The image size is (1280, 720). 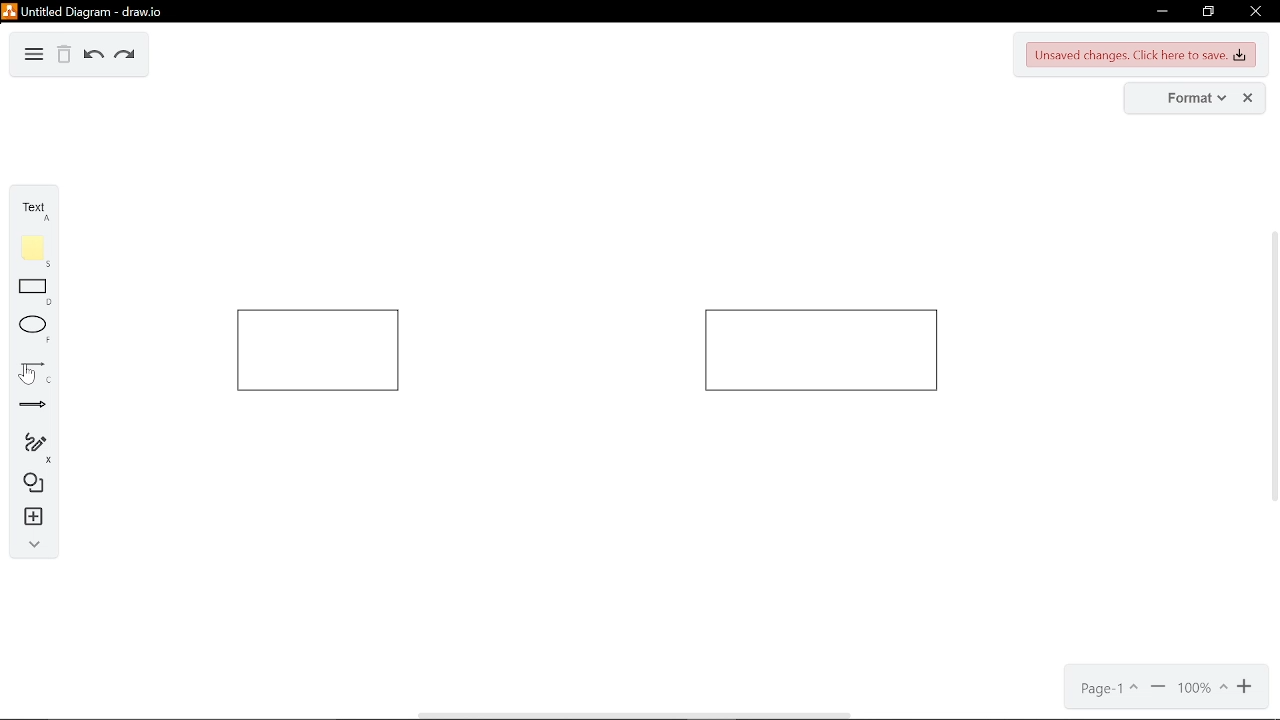 I want to click on cursor, so click(x=27, y=374).